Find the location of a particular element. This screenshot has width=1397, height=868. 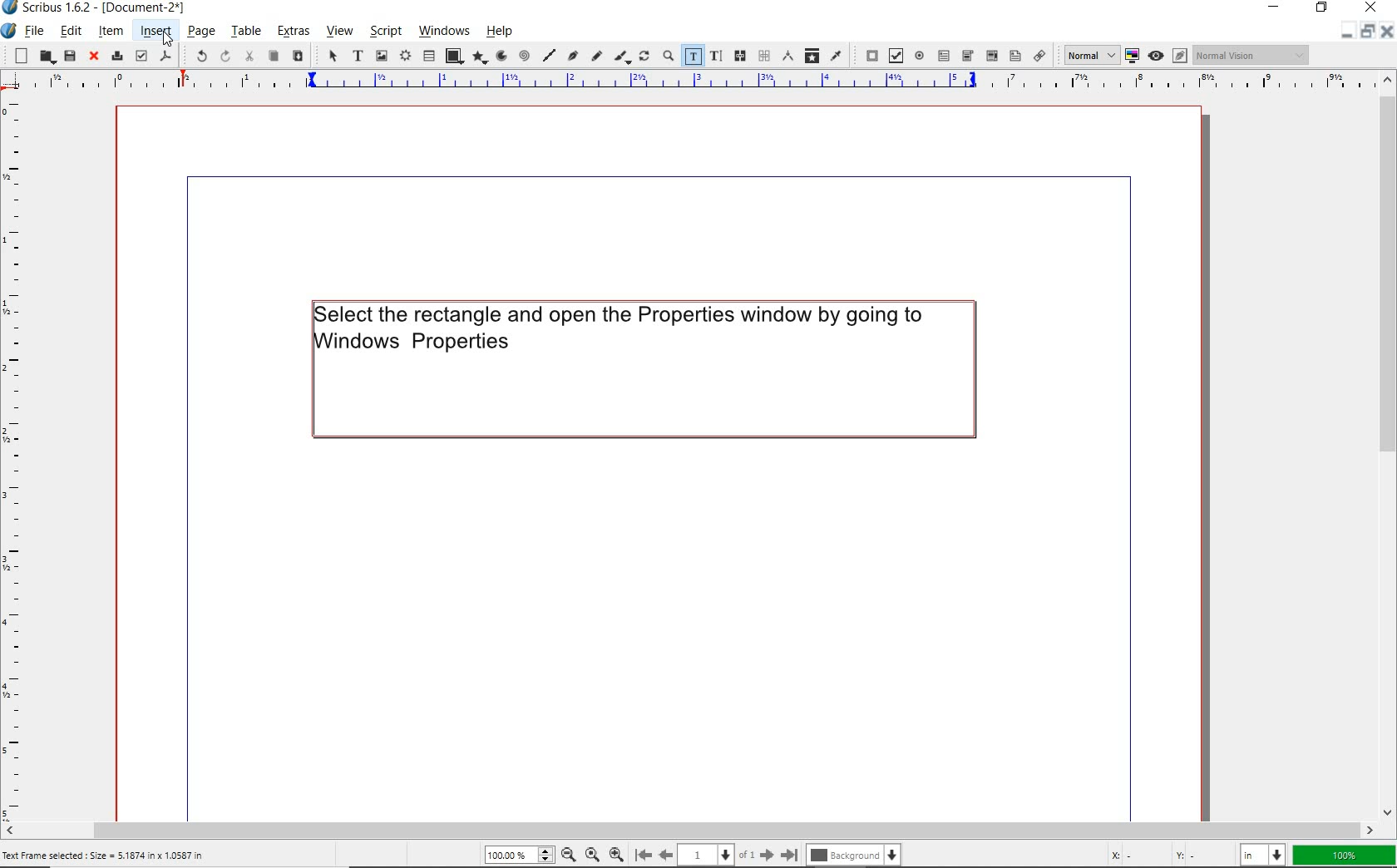

item is located at coordinates (109, 31).